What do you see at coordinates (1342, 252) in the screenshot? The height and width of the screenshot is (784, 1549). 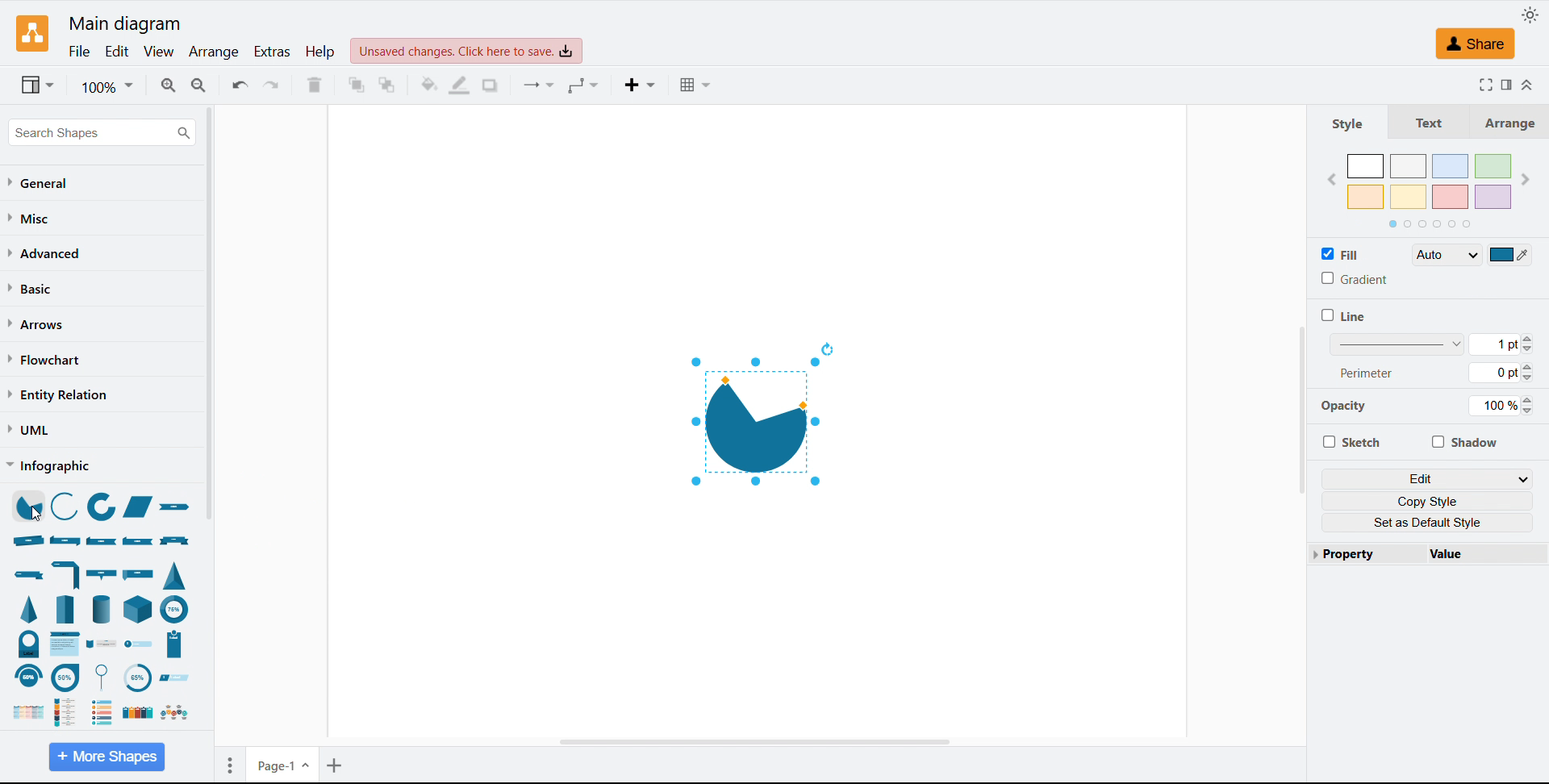 I see `fill` at bounding box center [1342, 252].